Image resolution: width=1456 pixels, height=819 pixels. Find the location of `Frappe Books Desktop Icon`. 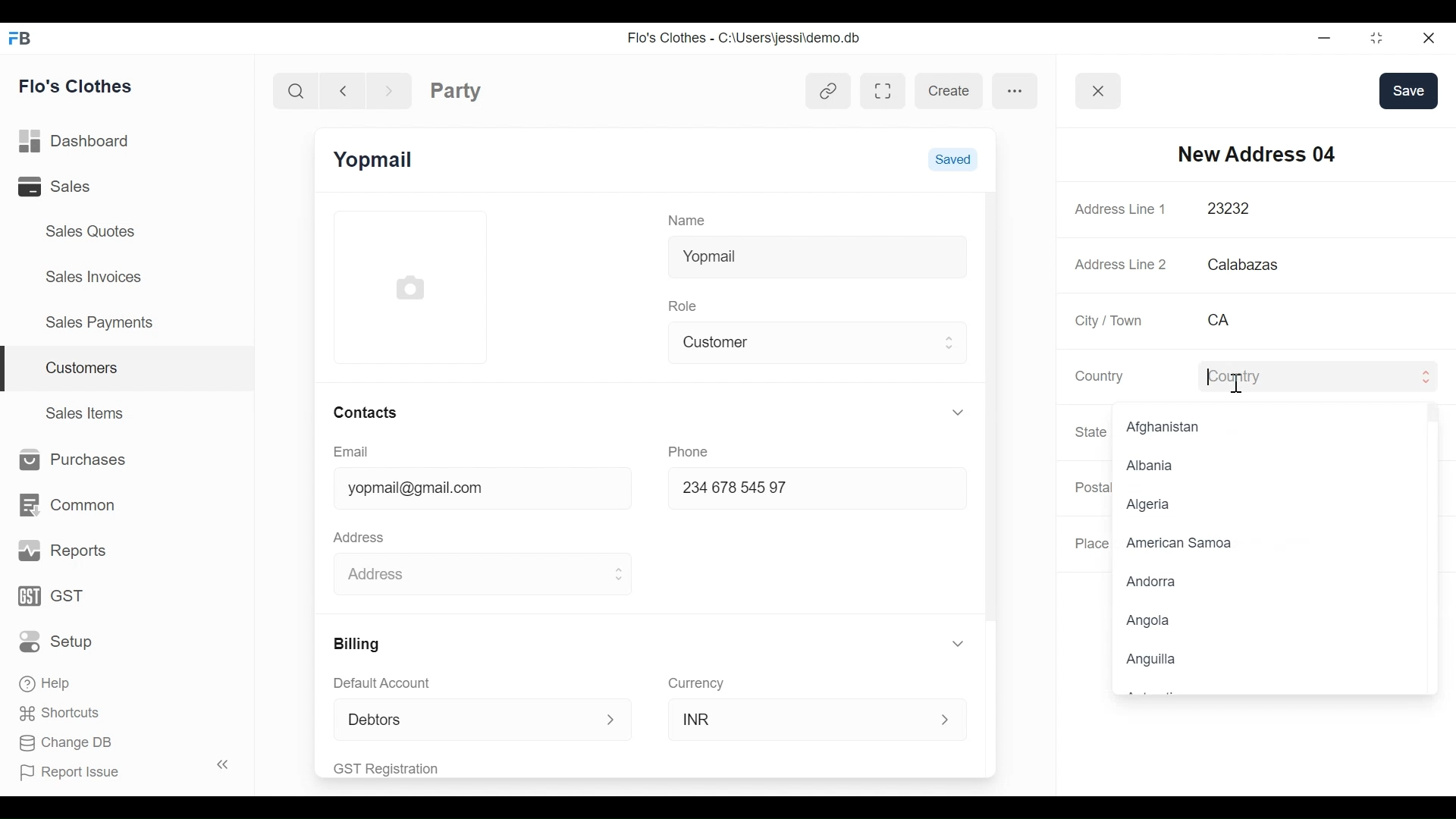

Frappe Books Desktop Icon is located at coordinates (18, 39).